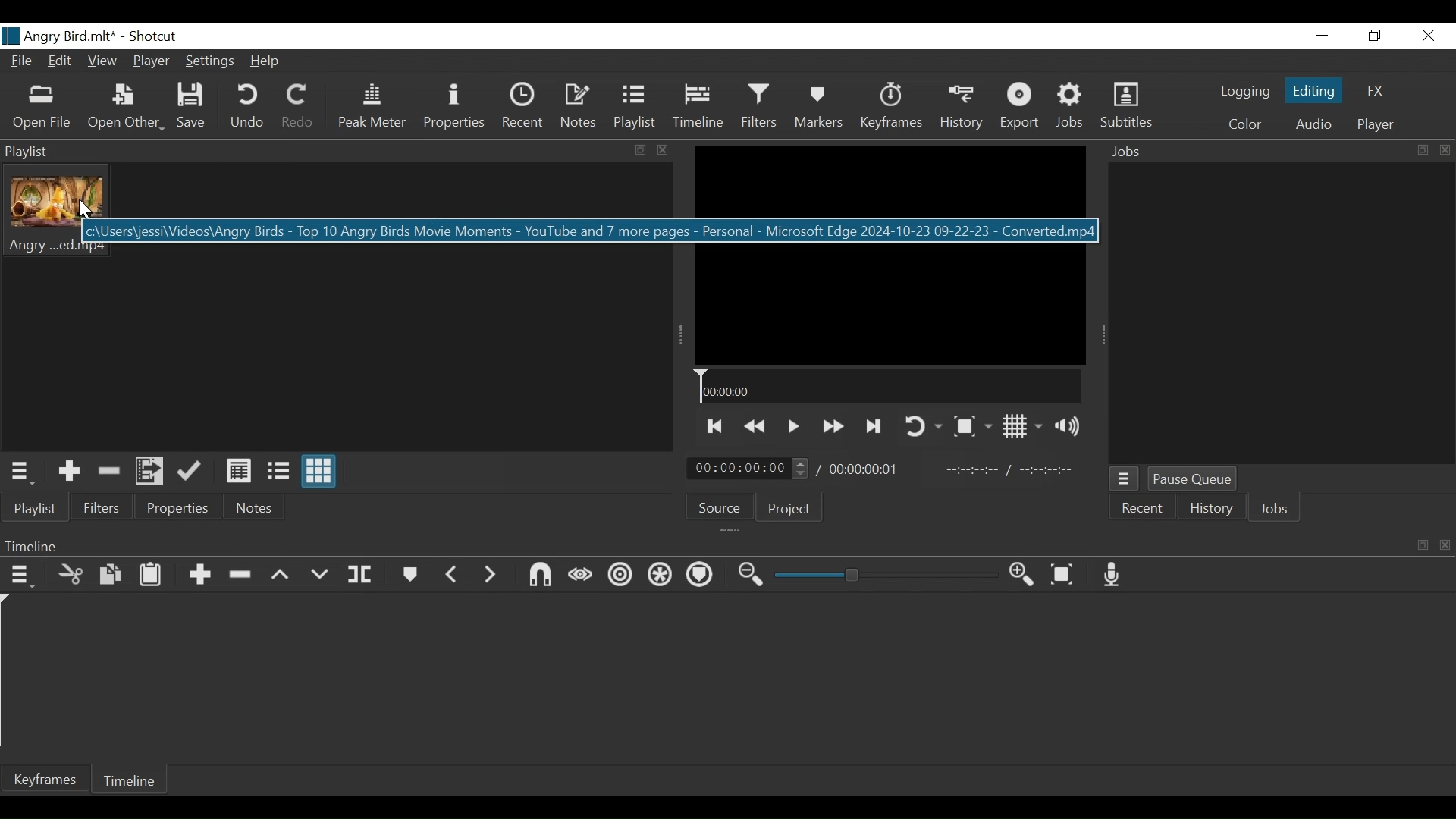 The height and width of the screenshot is (819, 1456). What do you see at coordinates (792, 426) in the screenshot?
I see `Toggle play or pause (space)` at bounding box center [792, 426].